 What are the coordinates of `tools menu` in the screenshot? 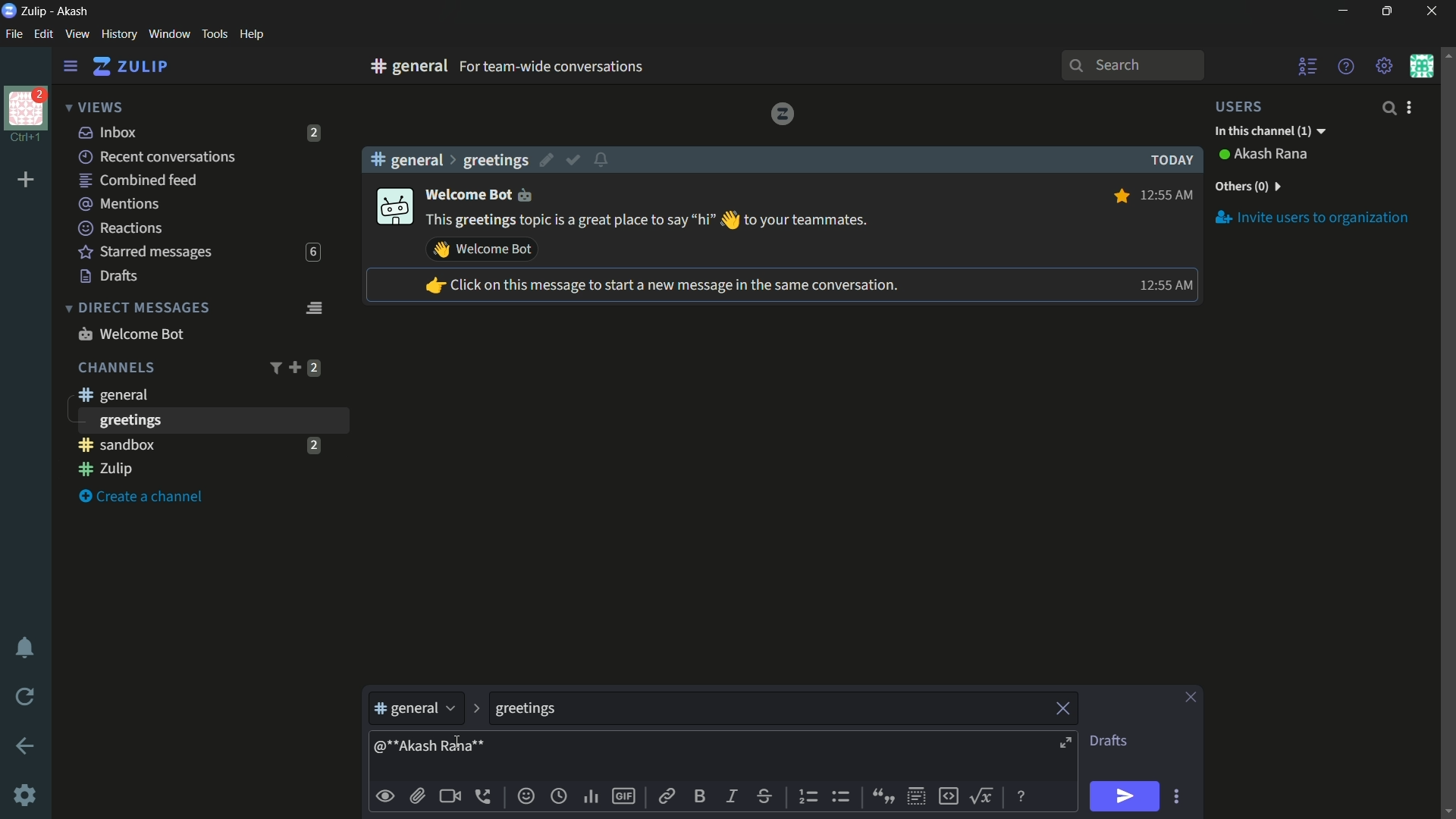 It's located at (214, 34).